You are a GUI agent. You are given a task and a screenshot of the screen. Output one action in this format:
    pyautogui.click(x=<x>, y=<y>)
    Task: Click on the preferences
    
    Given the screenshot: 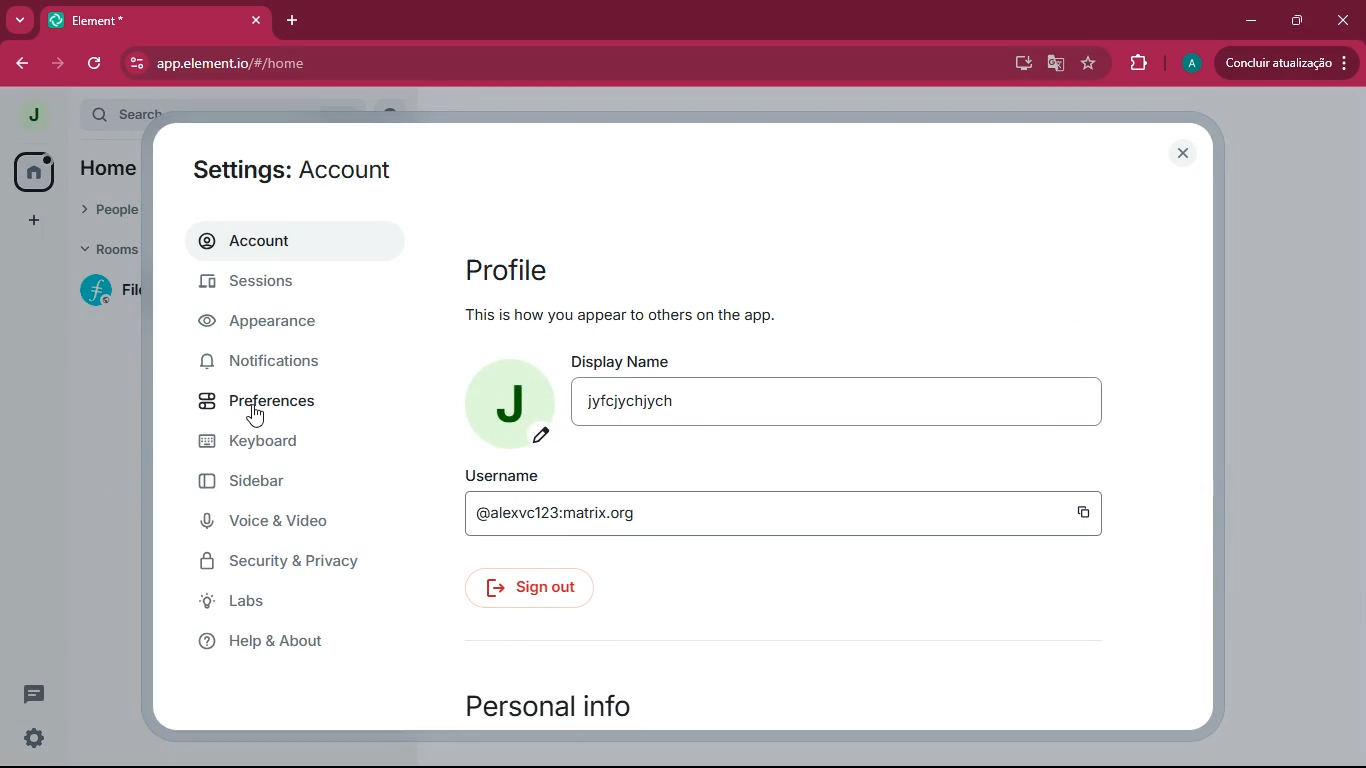 What is the action you would take?
    pyautogui.click(x=261, y=401)
    